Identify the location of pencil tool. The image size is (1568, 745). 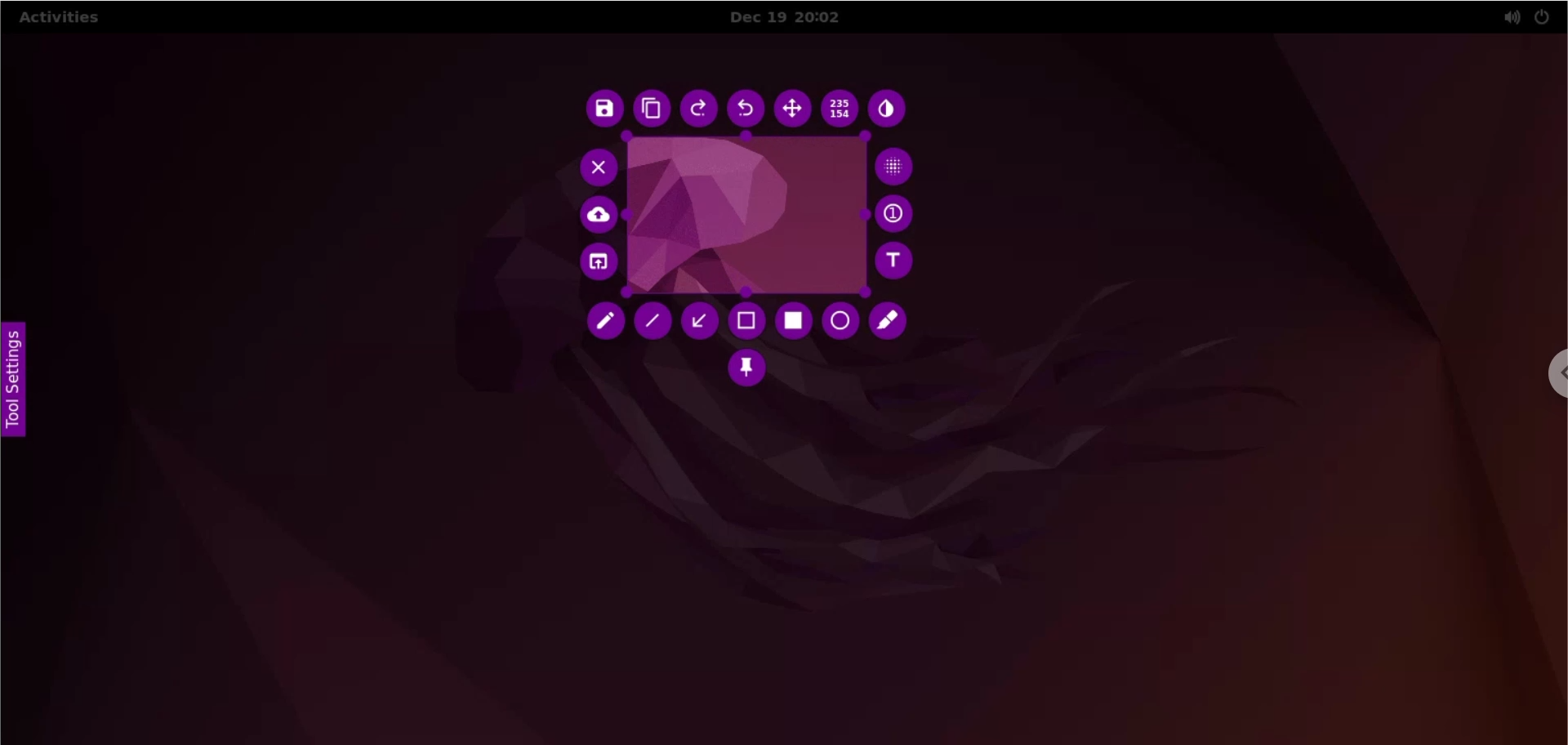
(601, 323).